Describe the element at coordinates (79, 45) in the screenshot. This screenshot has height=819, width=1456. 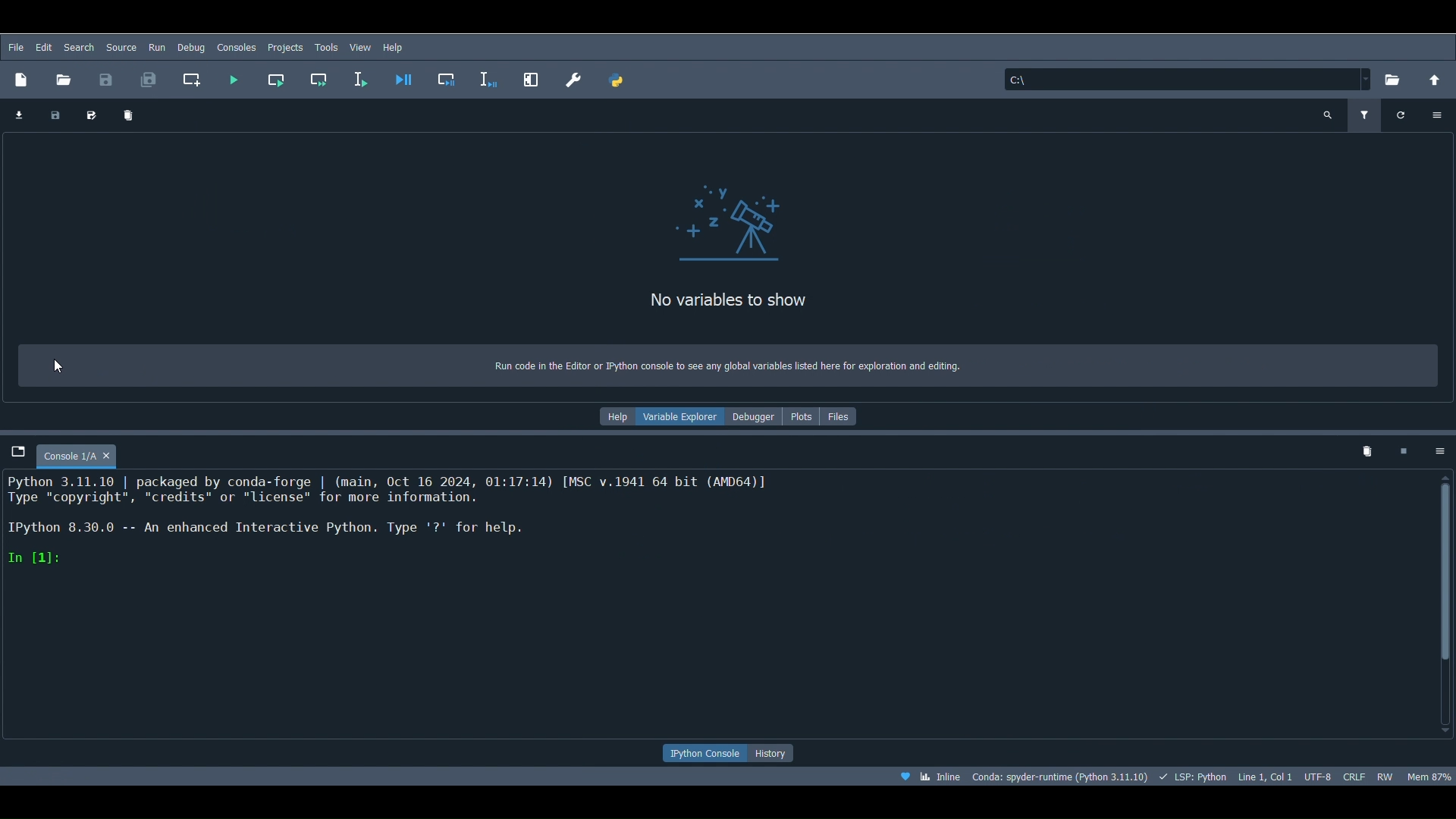
I see `Search` at that location.